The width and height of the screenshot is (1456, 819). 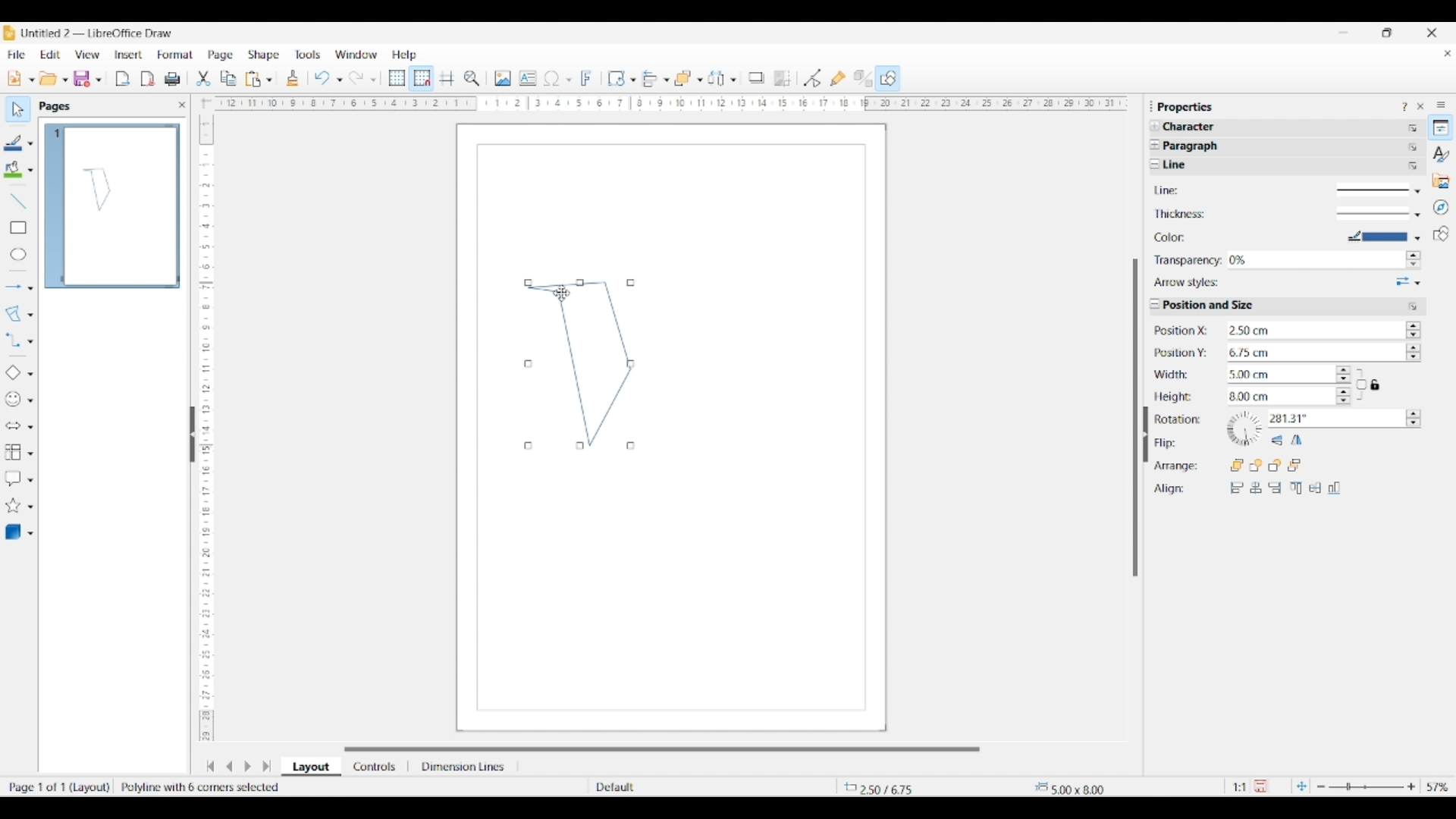 I want to click on New document format options, so click(x=32, y=80).